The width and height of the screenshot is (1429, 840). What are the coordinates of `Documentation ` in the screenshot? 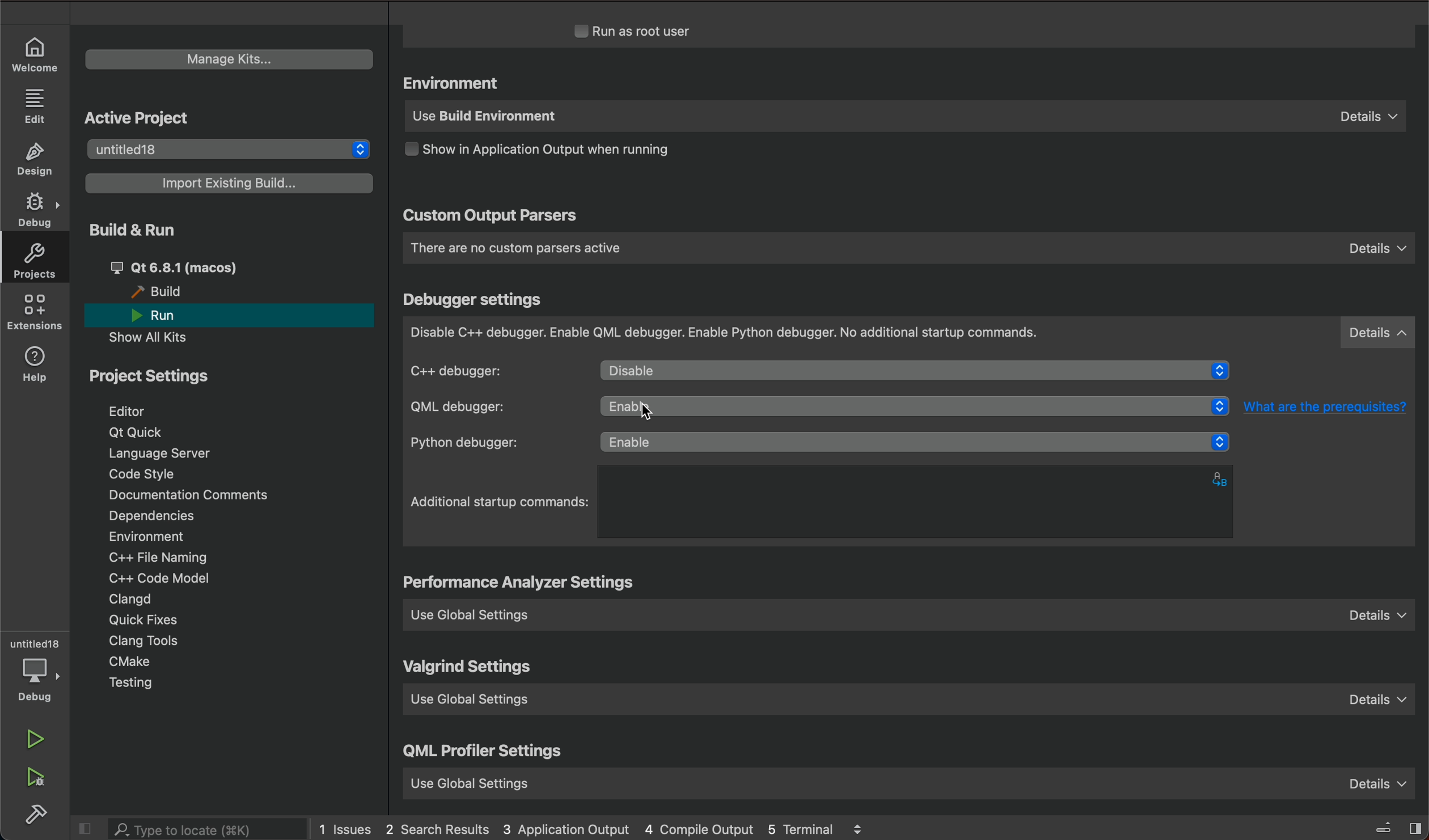 It's located at (202, 496).